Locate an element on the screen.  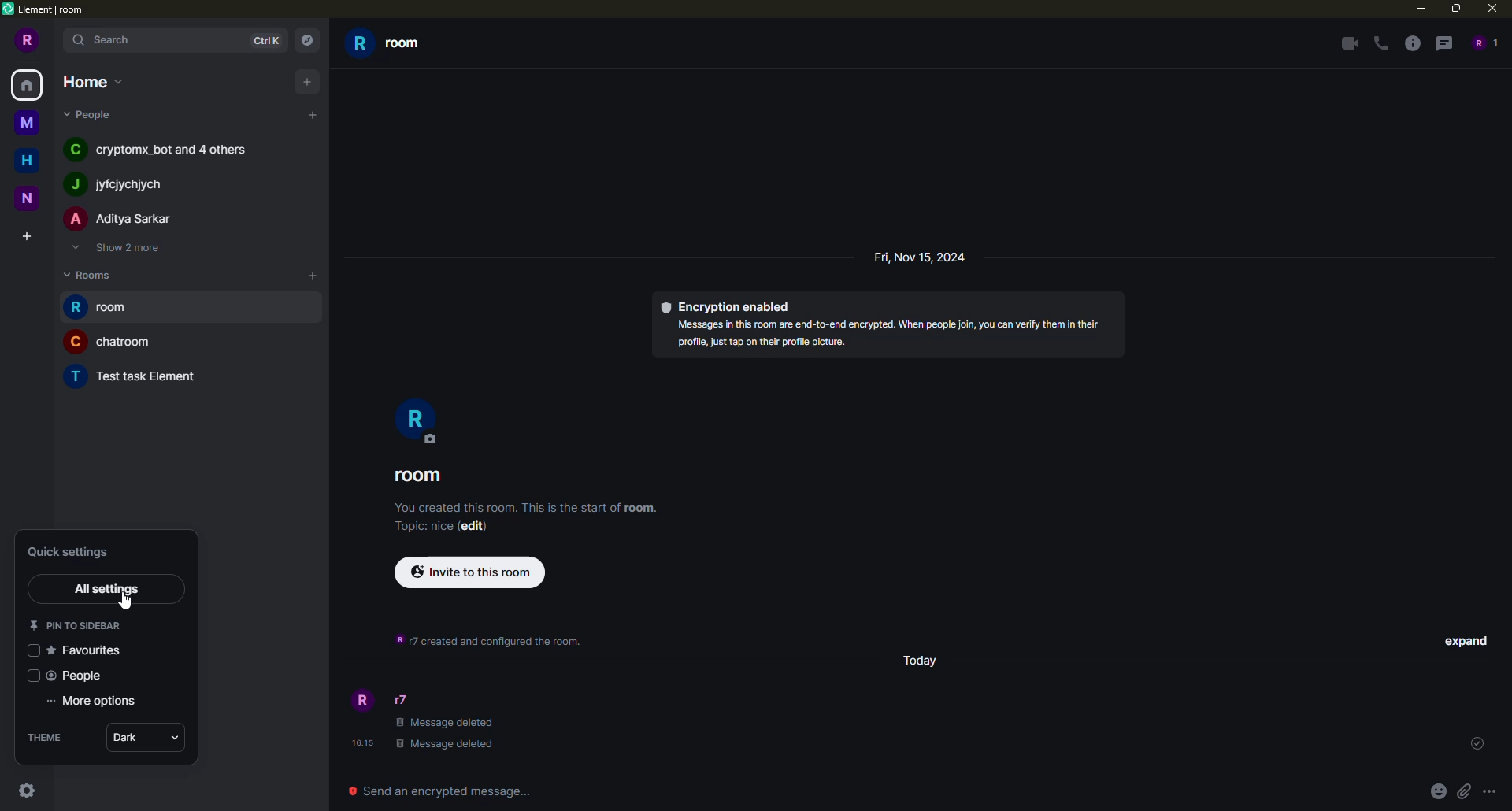
quick settings is located at coordinates (77, 551).